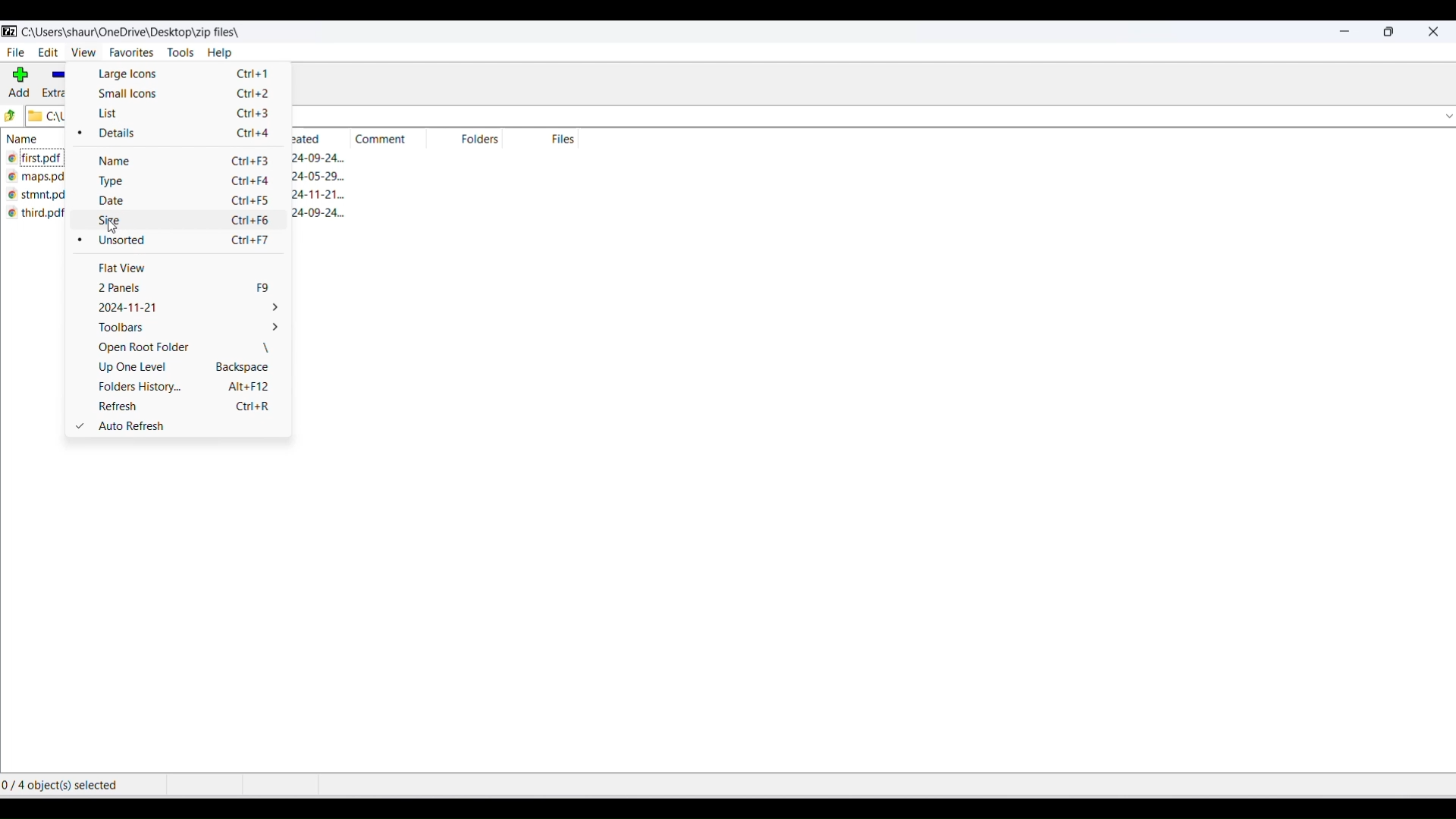 Image resolution: width=1456 pixels, height=819 pixels. Describe the element at coordinates (321, 193) in the screenshot. I see `creation date` at that location.